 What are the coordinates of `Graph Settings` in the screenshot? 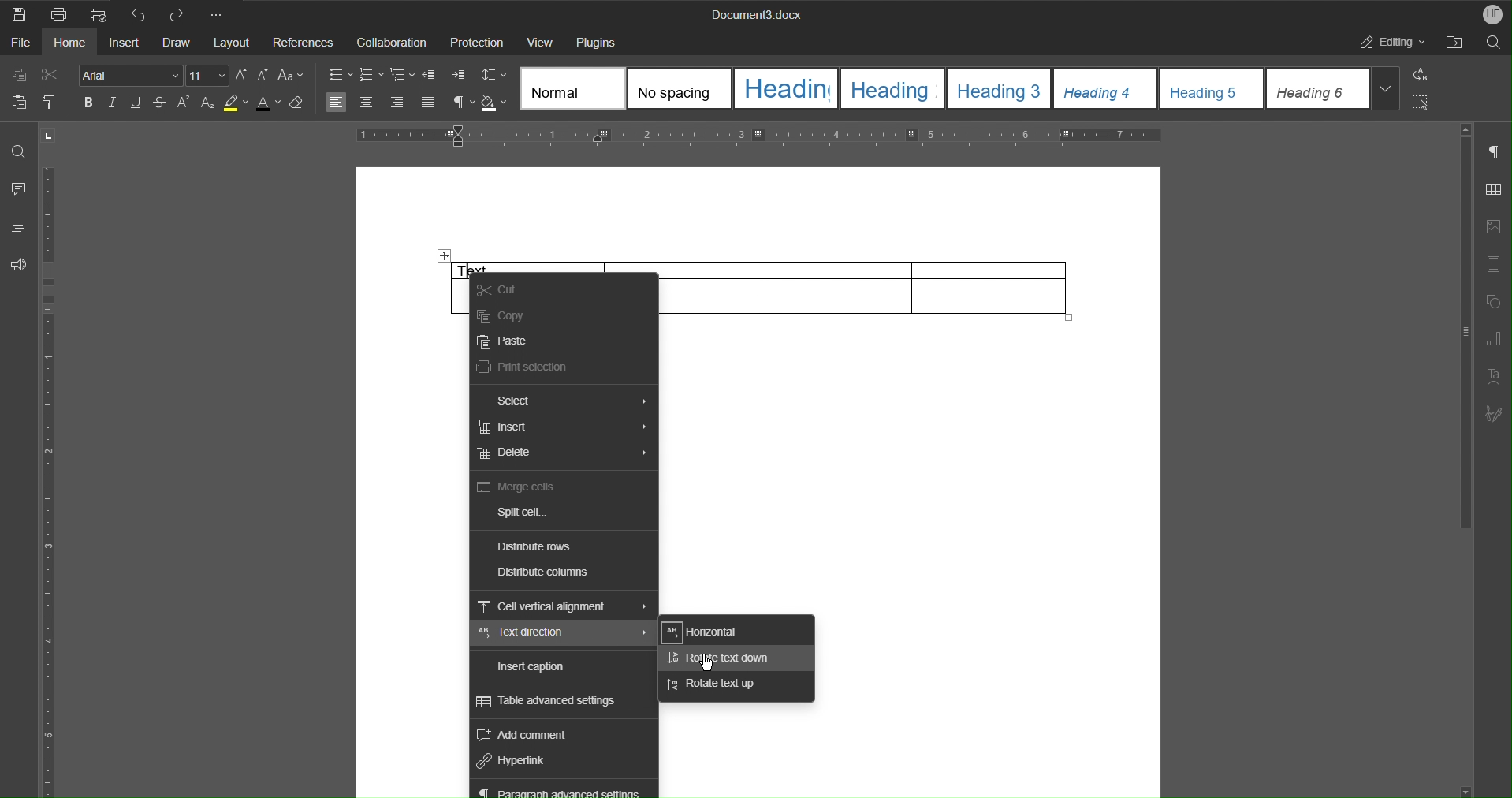 It's located at (1495, 337).